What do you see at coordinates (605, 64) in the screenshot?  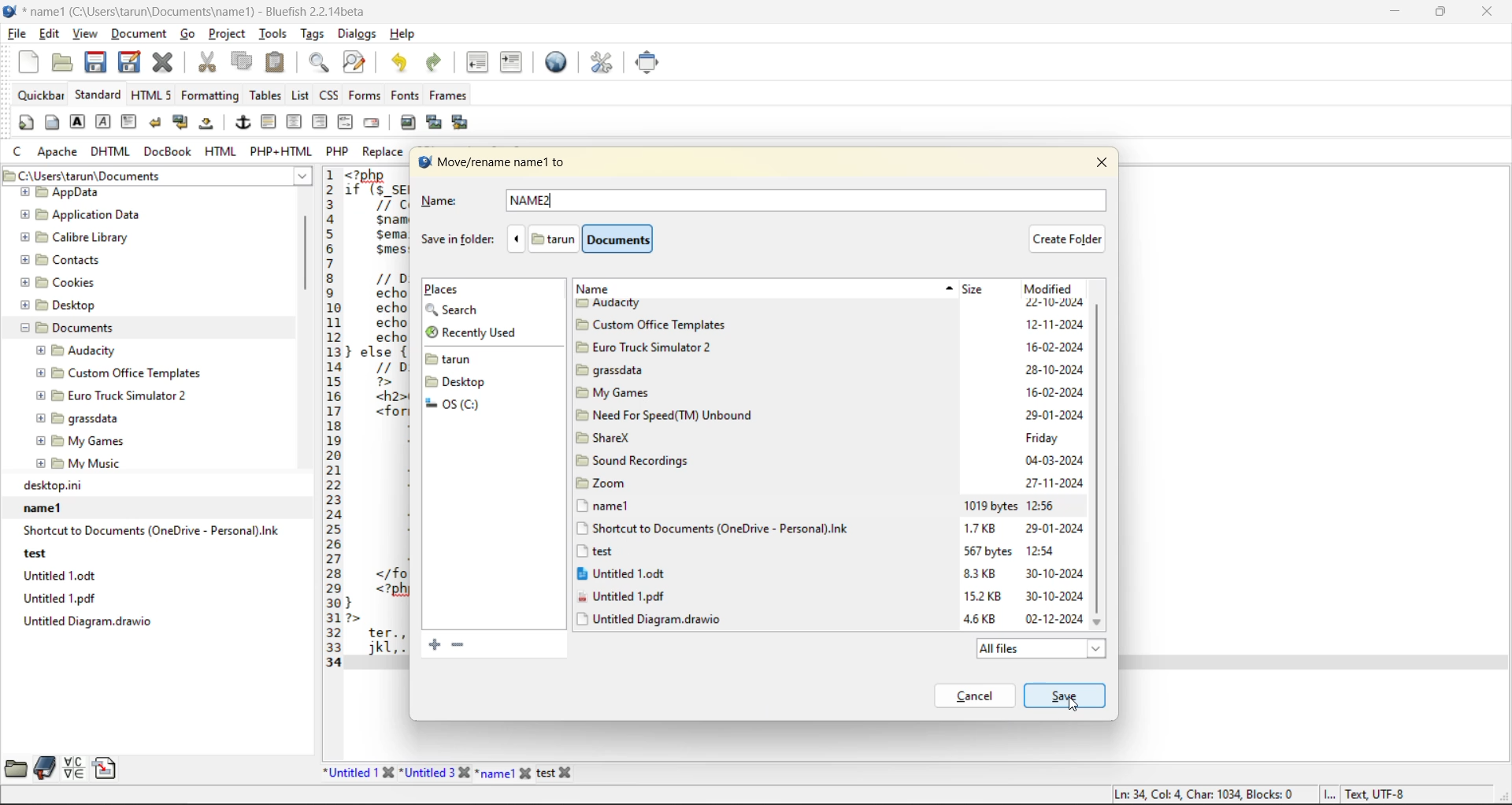 I see `edit preferences` at bounding box center [605, 64].